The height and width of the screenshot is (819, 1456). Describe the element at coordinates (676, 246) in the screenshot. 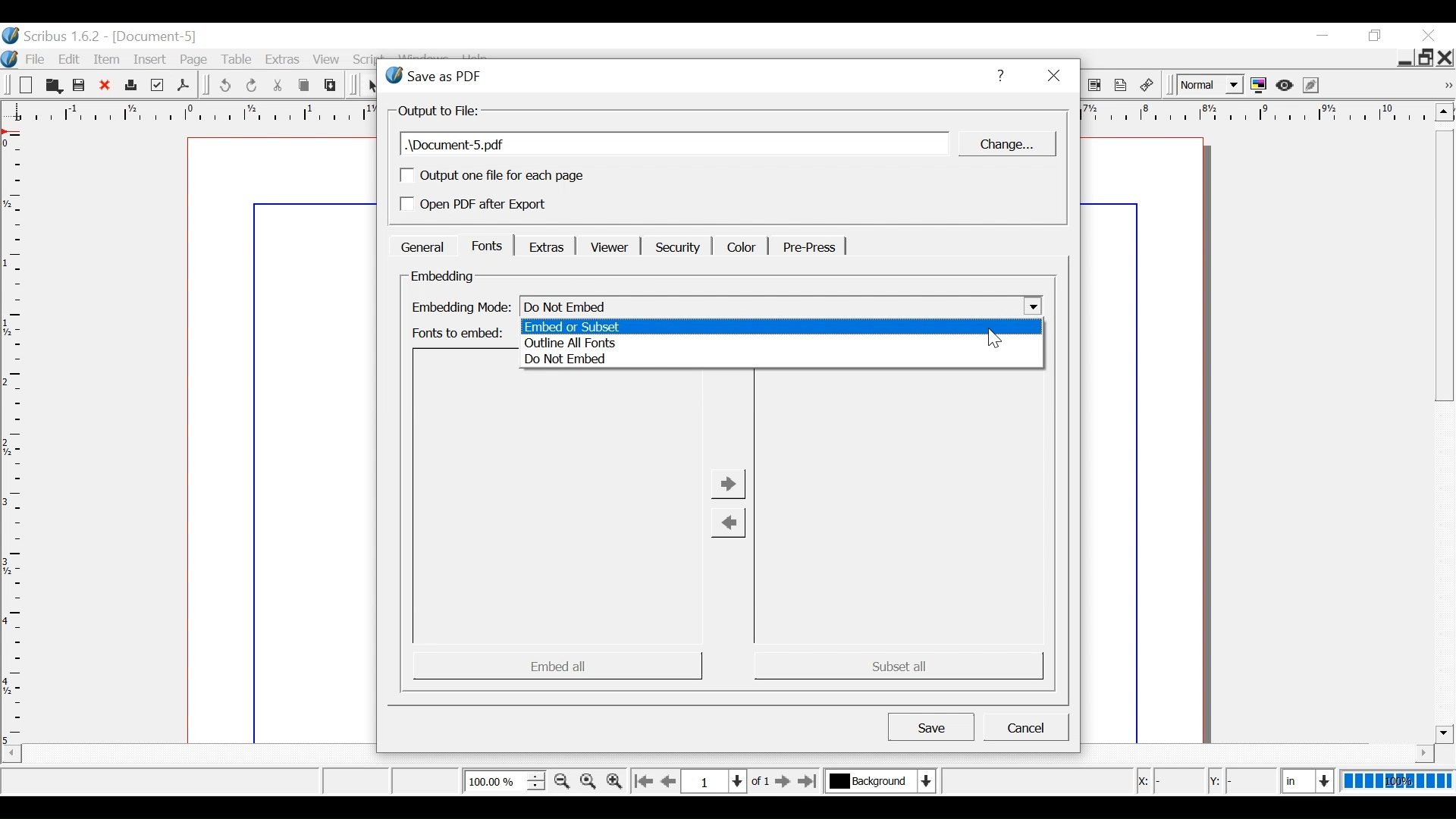

I see `Security` at that location.